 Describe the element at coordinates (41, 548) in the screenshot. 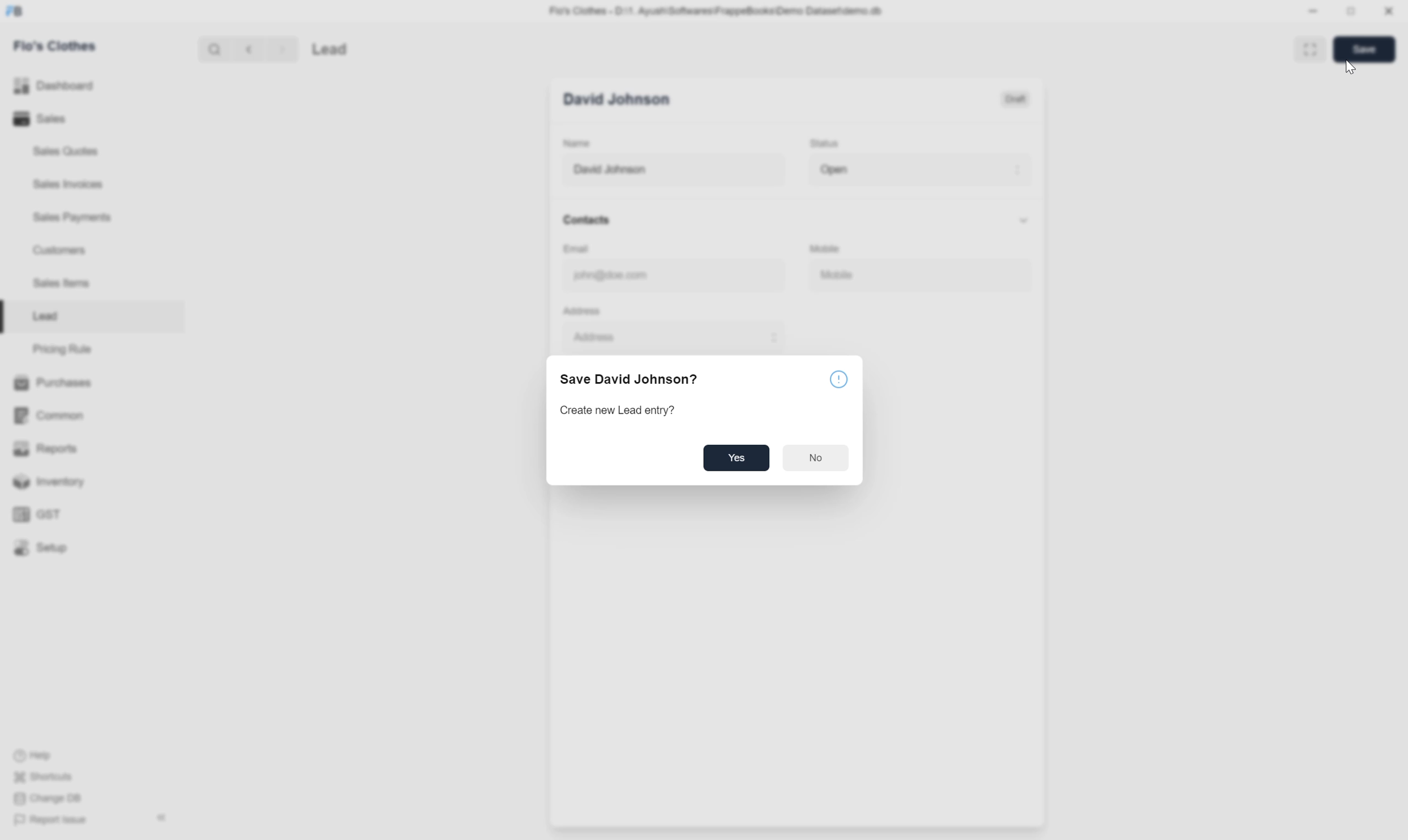

I see `Setup` at that location.